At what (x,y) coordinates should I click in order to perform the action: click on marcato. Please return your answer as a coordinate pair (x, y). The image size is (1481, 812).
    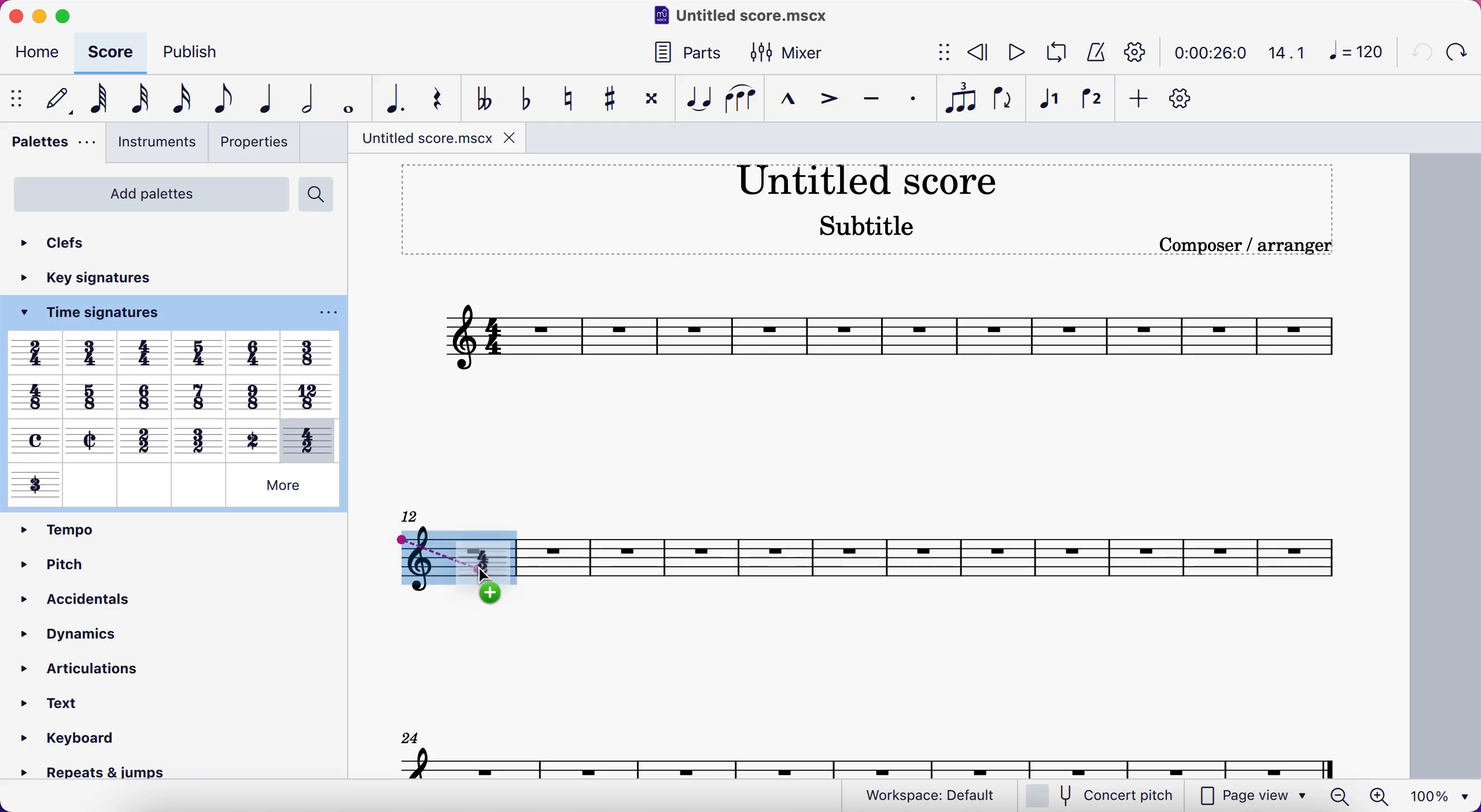
    Looking at the image, I should click on (785, 96).